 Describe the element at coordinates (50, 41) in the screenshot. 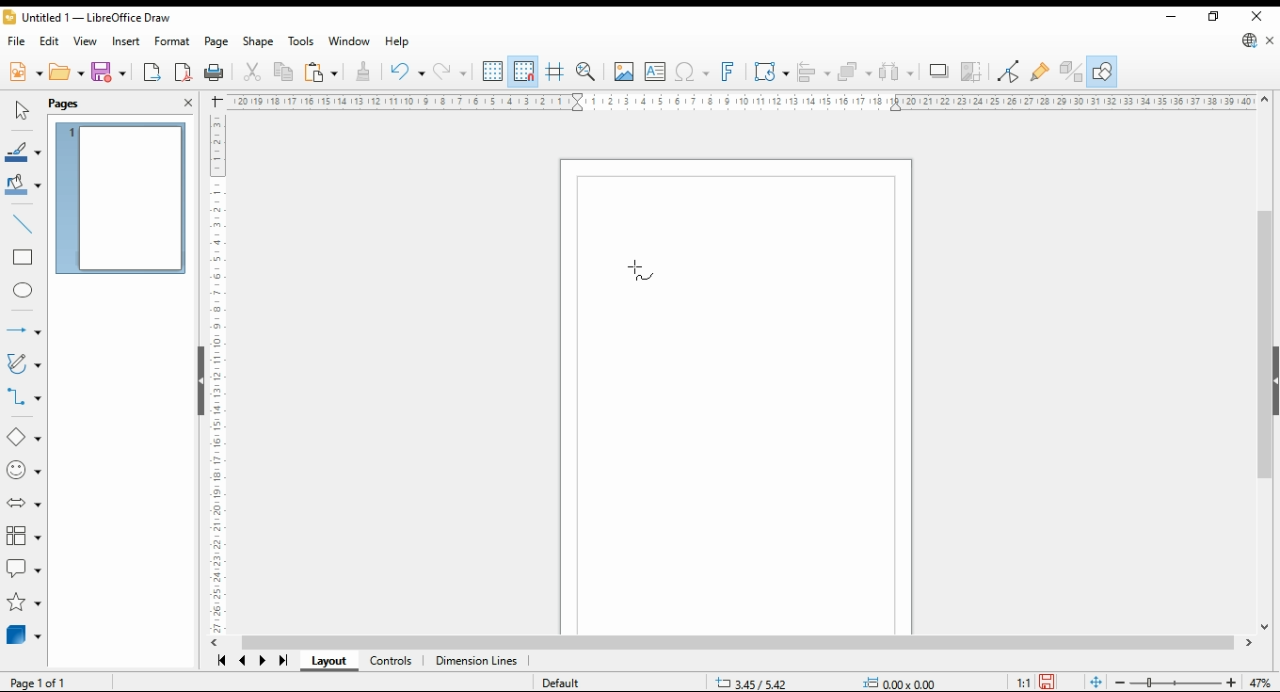

I see `edit` at that location.